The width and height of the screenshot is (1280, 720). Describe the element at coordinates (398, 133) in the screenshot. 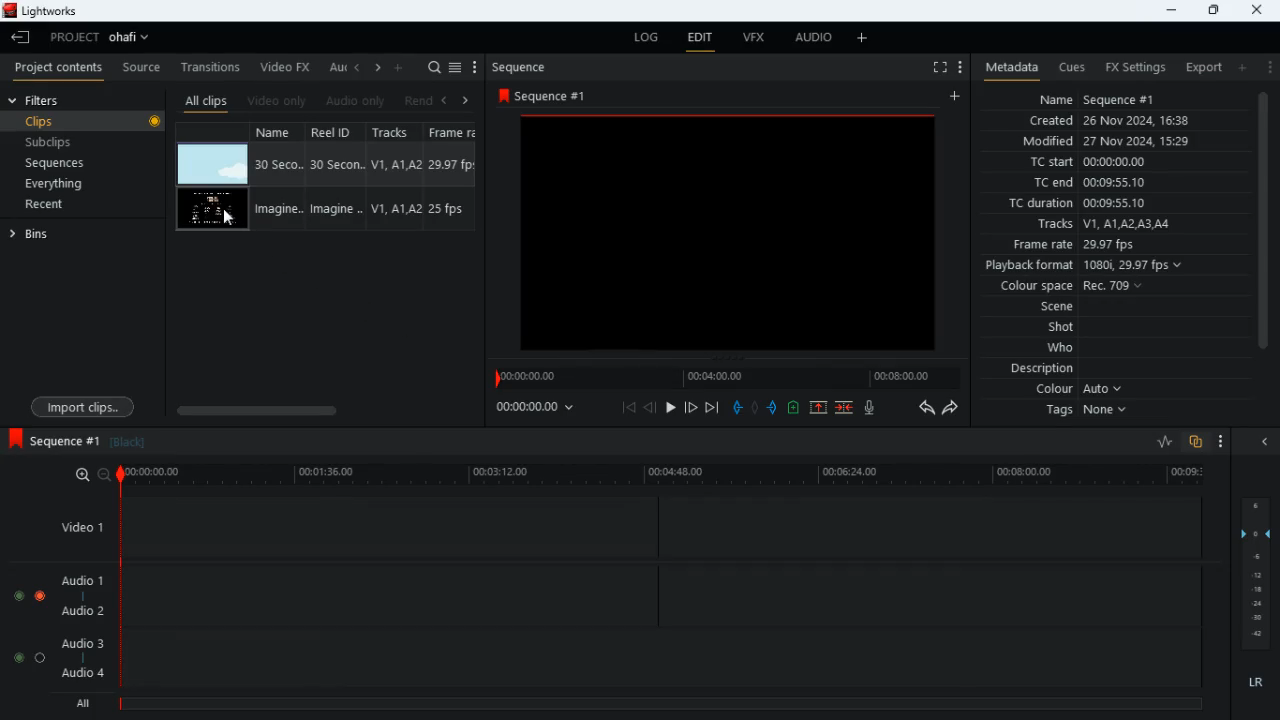

I see `tracks` at that location.